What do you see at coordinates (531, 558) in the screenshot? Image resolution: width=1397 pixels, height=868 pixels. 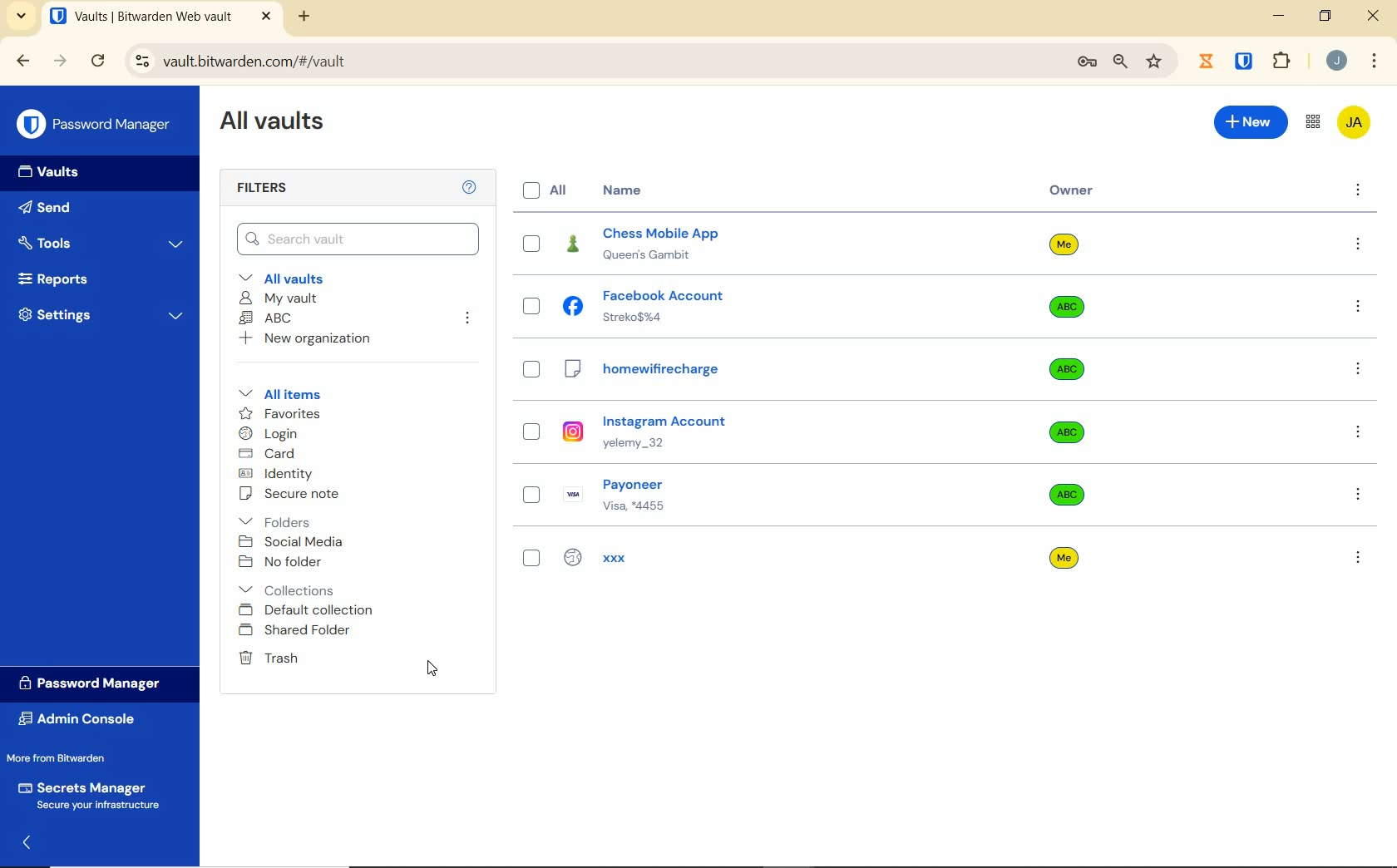 I see `select entry` at bounding box center [531, 558].